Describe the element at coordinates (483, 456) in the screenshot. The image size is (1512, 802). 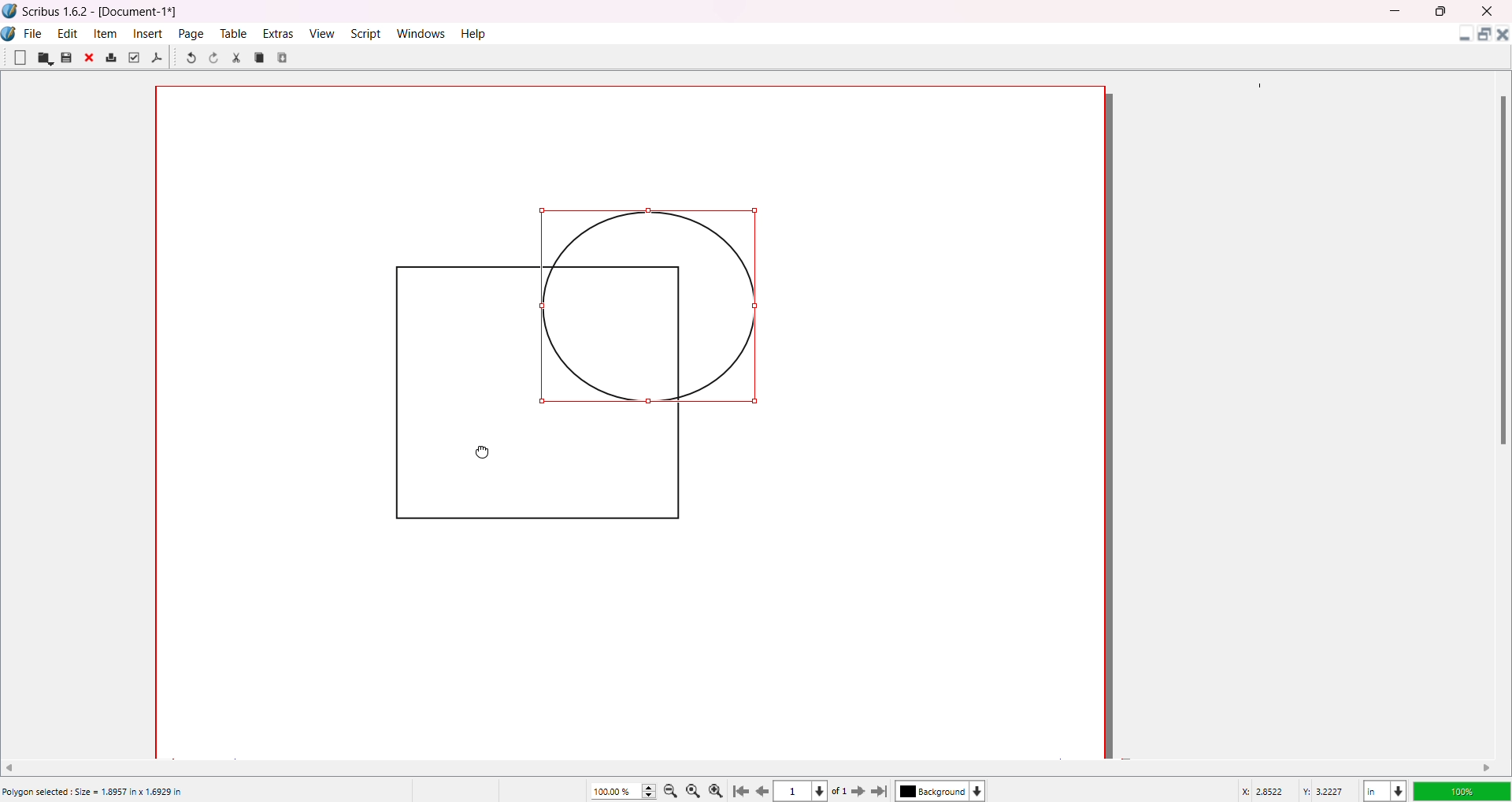
I see `cursor` at that location.